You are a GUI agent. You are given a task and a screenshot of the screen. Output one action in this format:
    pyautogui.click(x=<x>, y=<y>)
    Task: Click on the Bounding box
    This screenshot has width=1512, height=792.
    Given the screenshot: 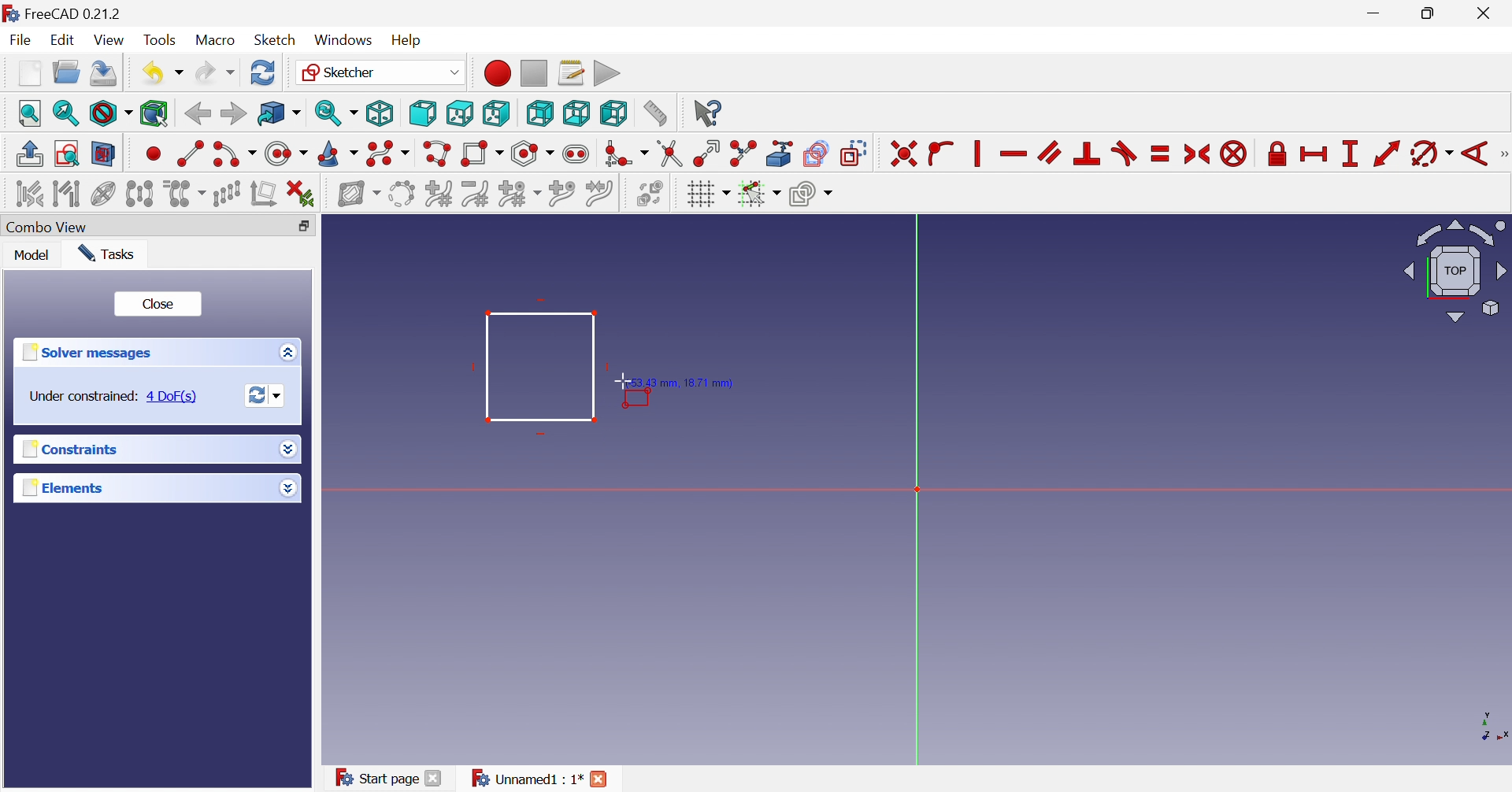 What is the action you would take?
    pyautogui.click(x=154, y=114)
    